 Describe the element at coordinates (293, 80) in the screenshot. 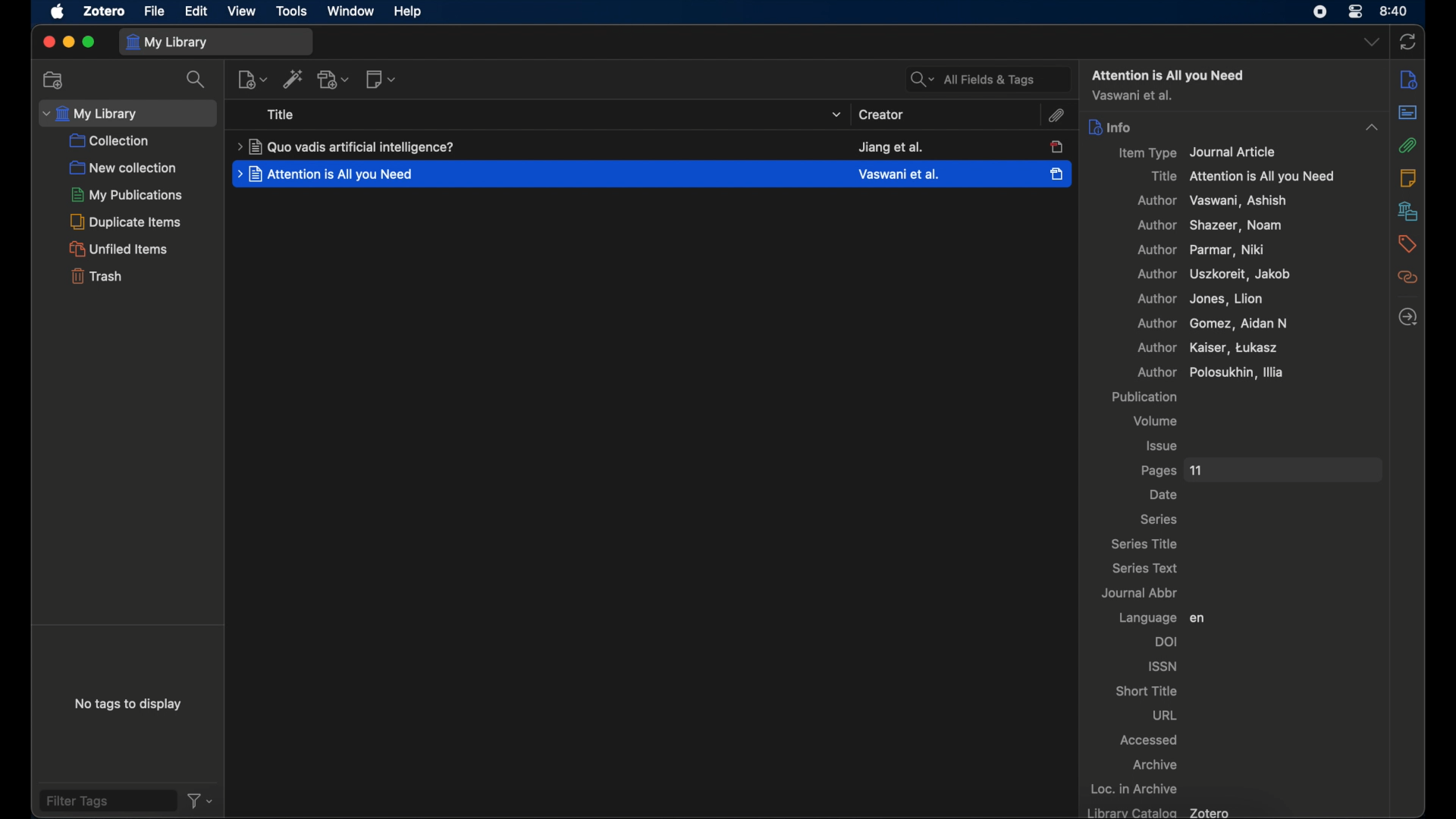

I see `add. items by identifier ` at that location.